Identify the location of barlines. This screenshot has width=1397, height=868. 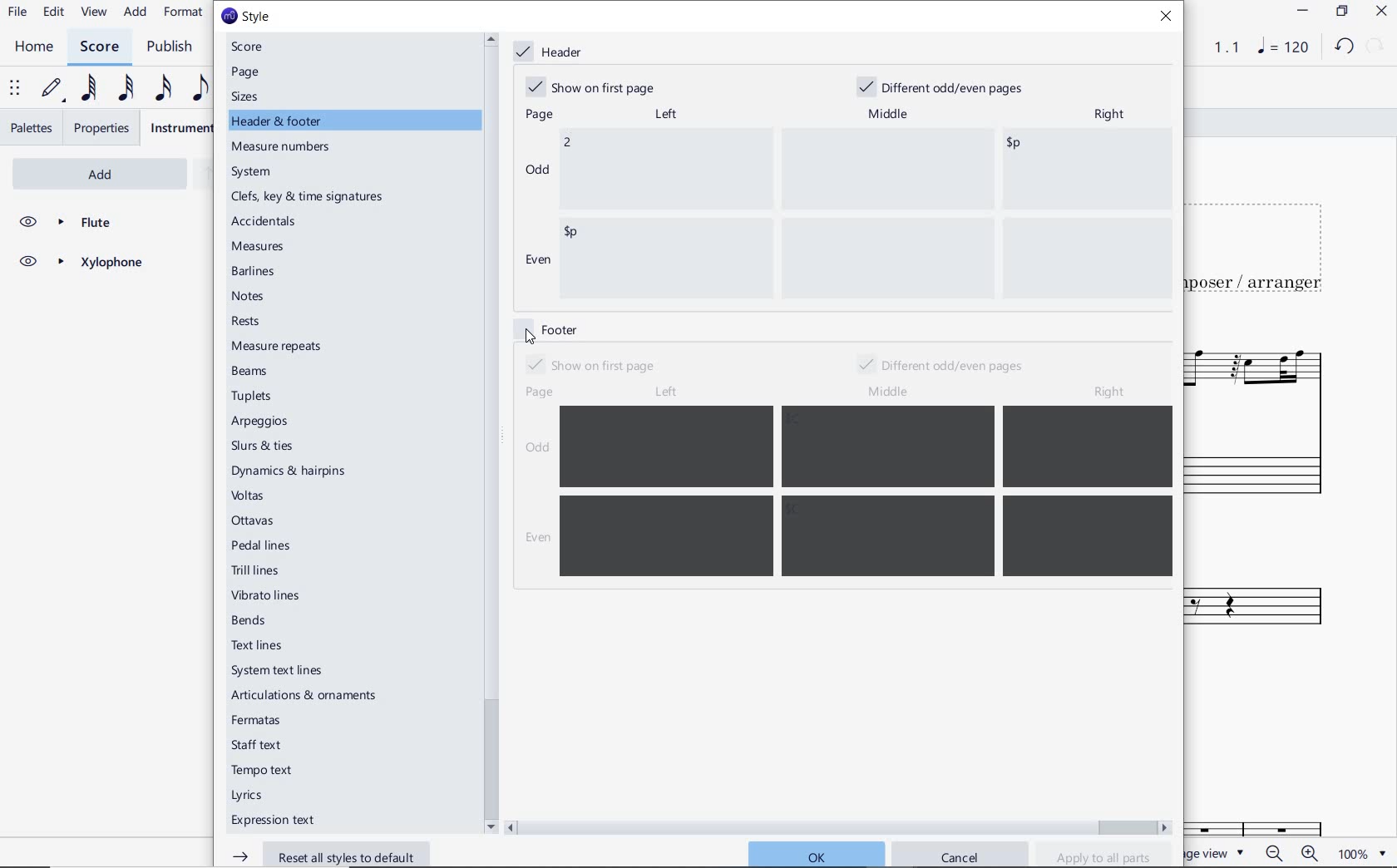
(256, 273).